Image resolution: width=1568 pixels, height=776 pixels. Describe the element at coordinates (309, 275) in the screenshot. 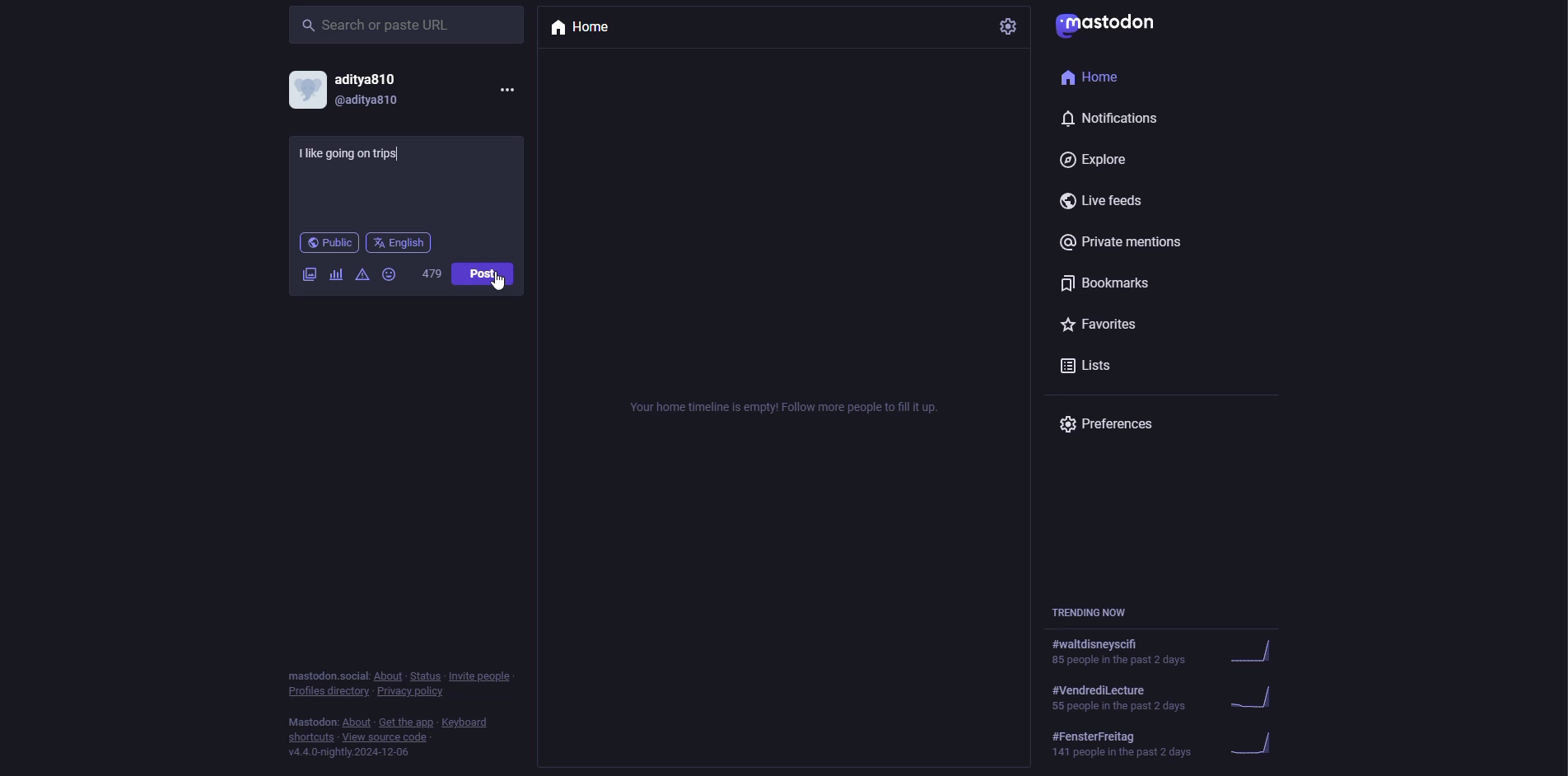

I see `image` at that location.